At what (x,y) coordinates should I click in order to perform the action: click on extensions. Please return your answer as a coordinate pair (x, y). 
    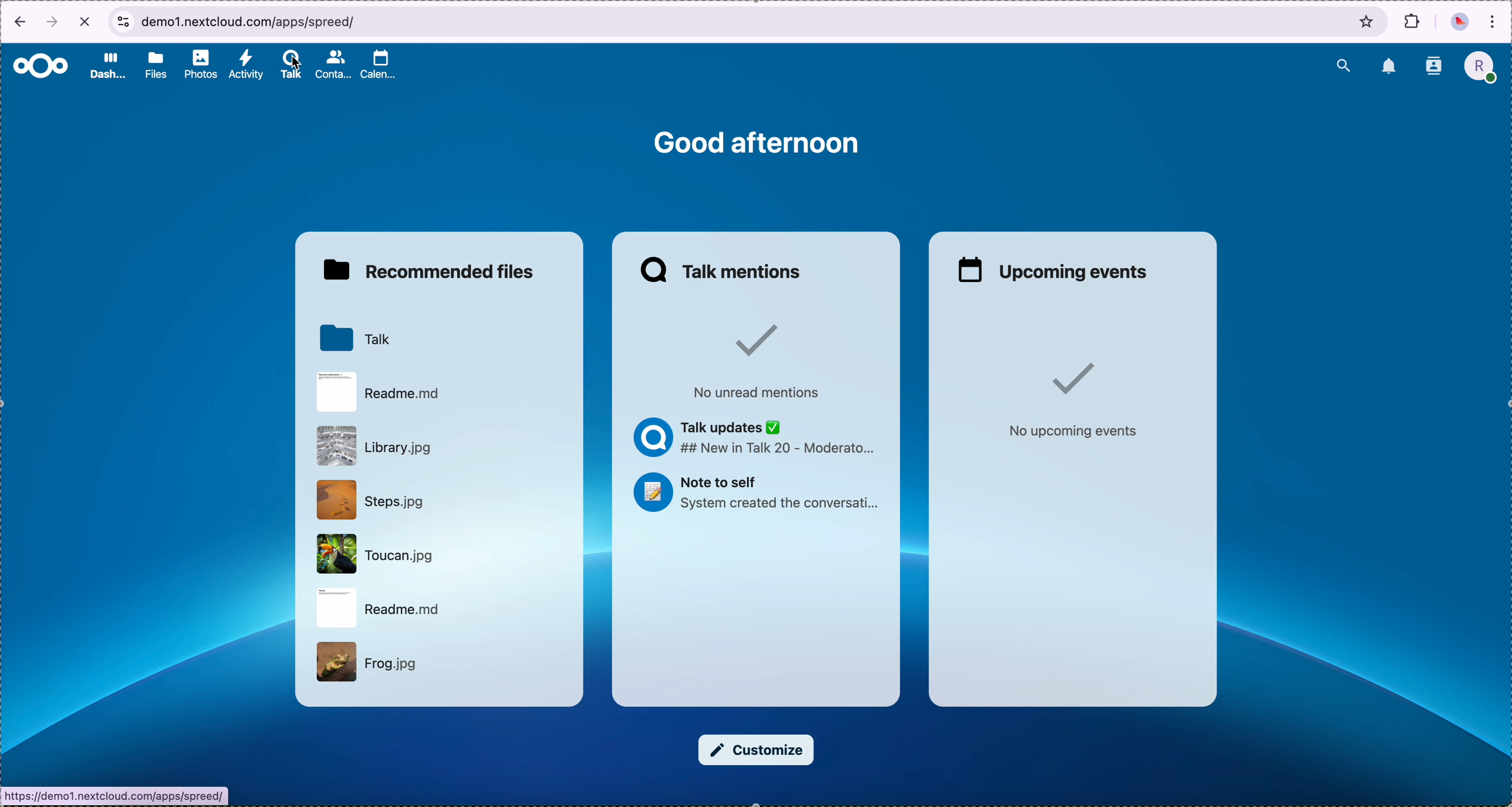
    Looking at the image, I should click on (1412, 18).